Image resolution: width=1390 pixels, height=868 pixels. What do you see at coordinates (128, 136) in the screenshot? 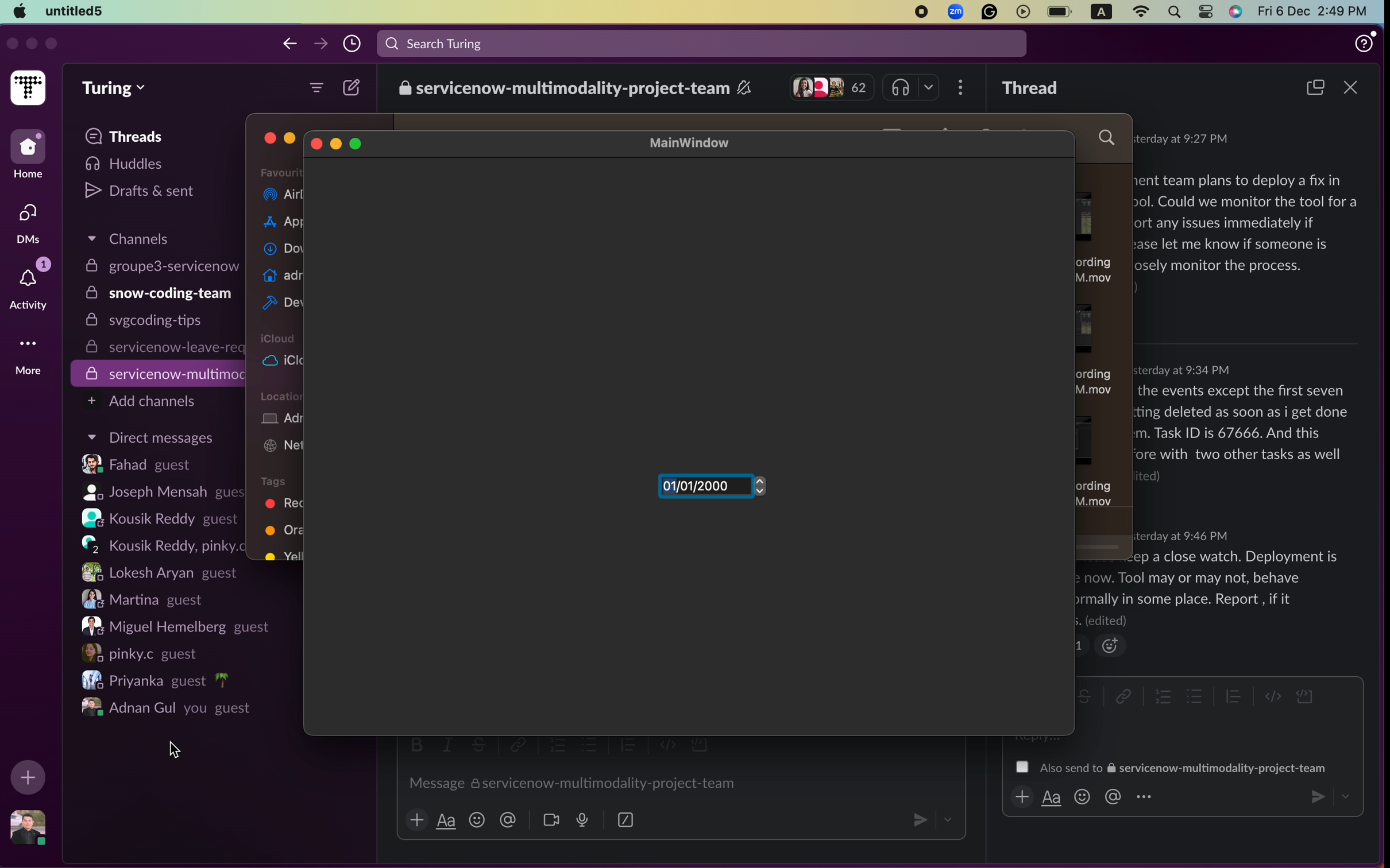
I see `Threads` at bounding box center [128, 136].